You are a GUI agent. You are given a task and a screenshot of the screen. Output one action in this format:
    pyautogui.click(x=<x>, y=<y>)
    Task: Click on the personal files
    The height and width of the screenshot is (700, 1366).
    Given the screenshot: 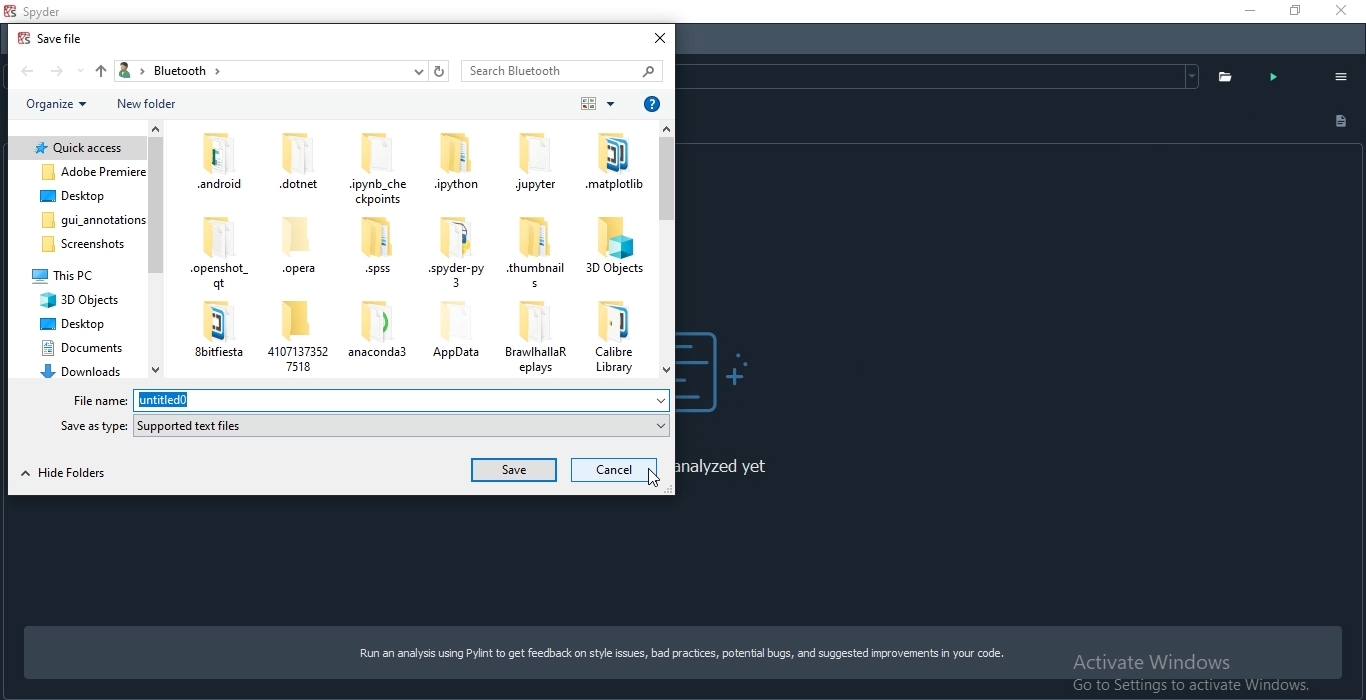 What is the action you would take?
    pyautogui.click(x=409, y=254)
    